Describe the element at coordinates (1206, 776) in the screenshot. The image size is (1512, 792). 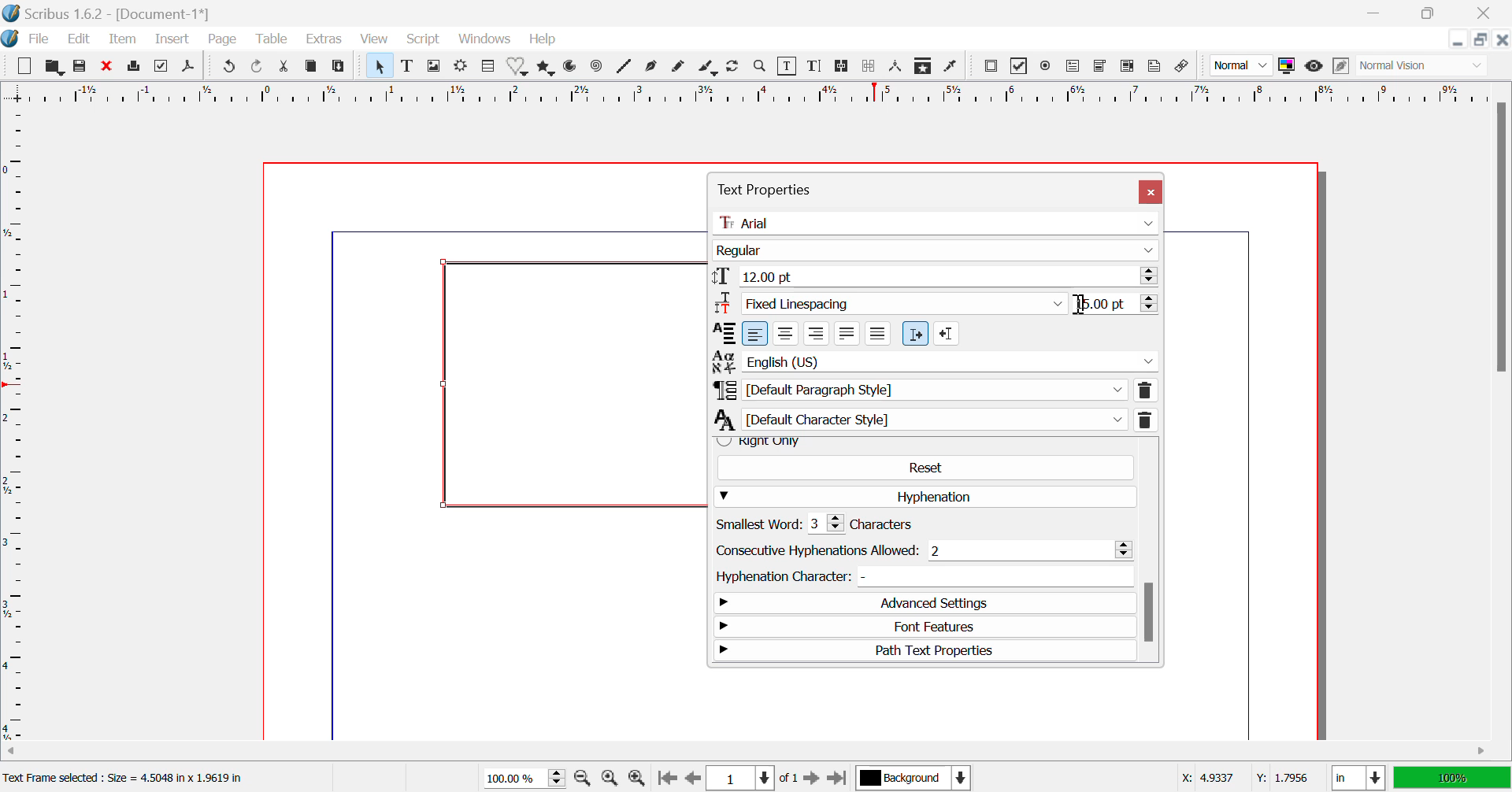
I see `X: 4.9337` at that location.